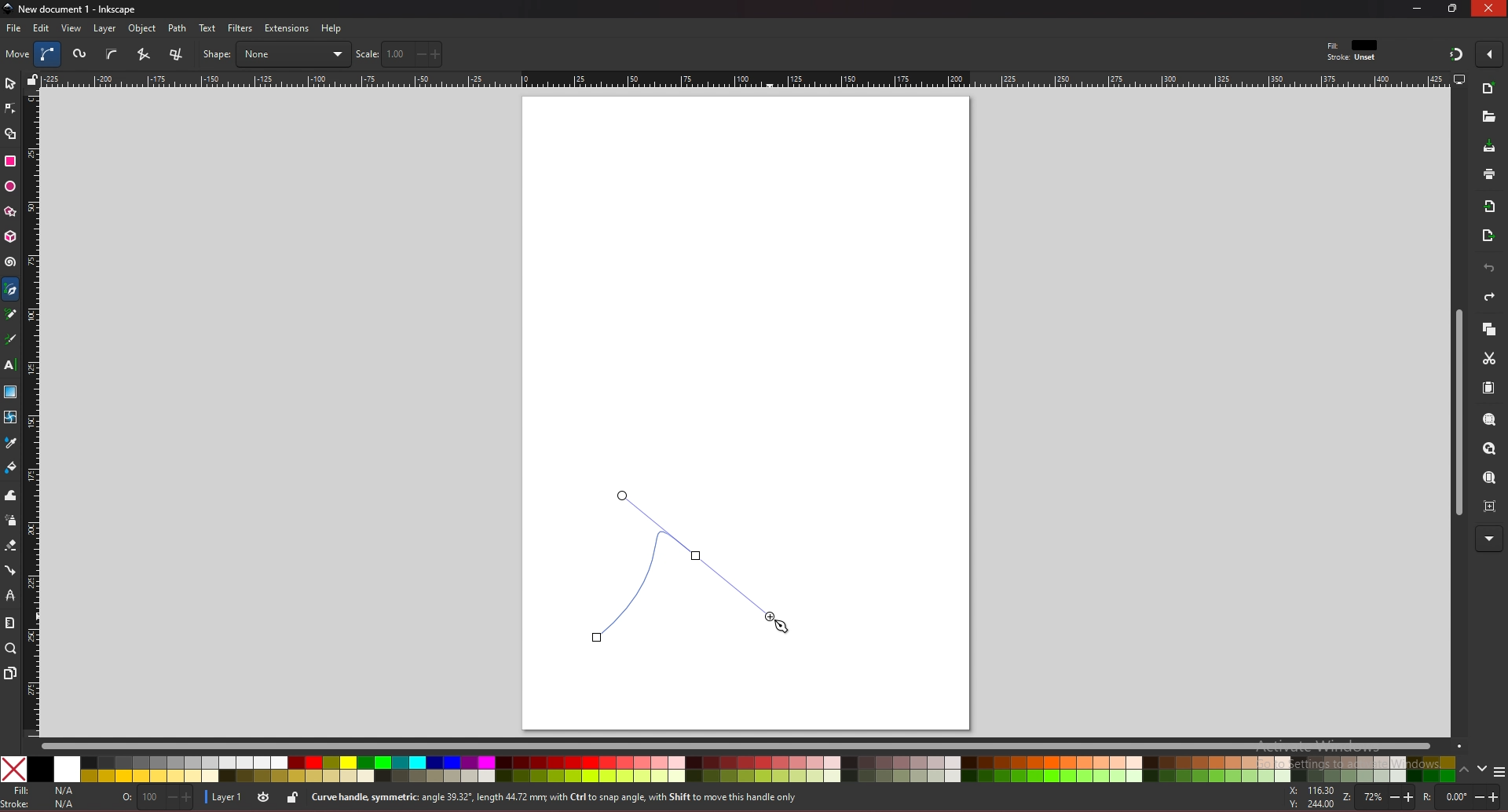  What do you see at coordinates (286, 29) in the screenshot?
I see `extensions` at bounding box center [286, 29].